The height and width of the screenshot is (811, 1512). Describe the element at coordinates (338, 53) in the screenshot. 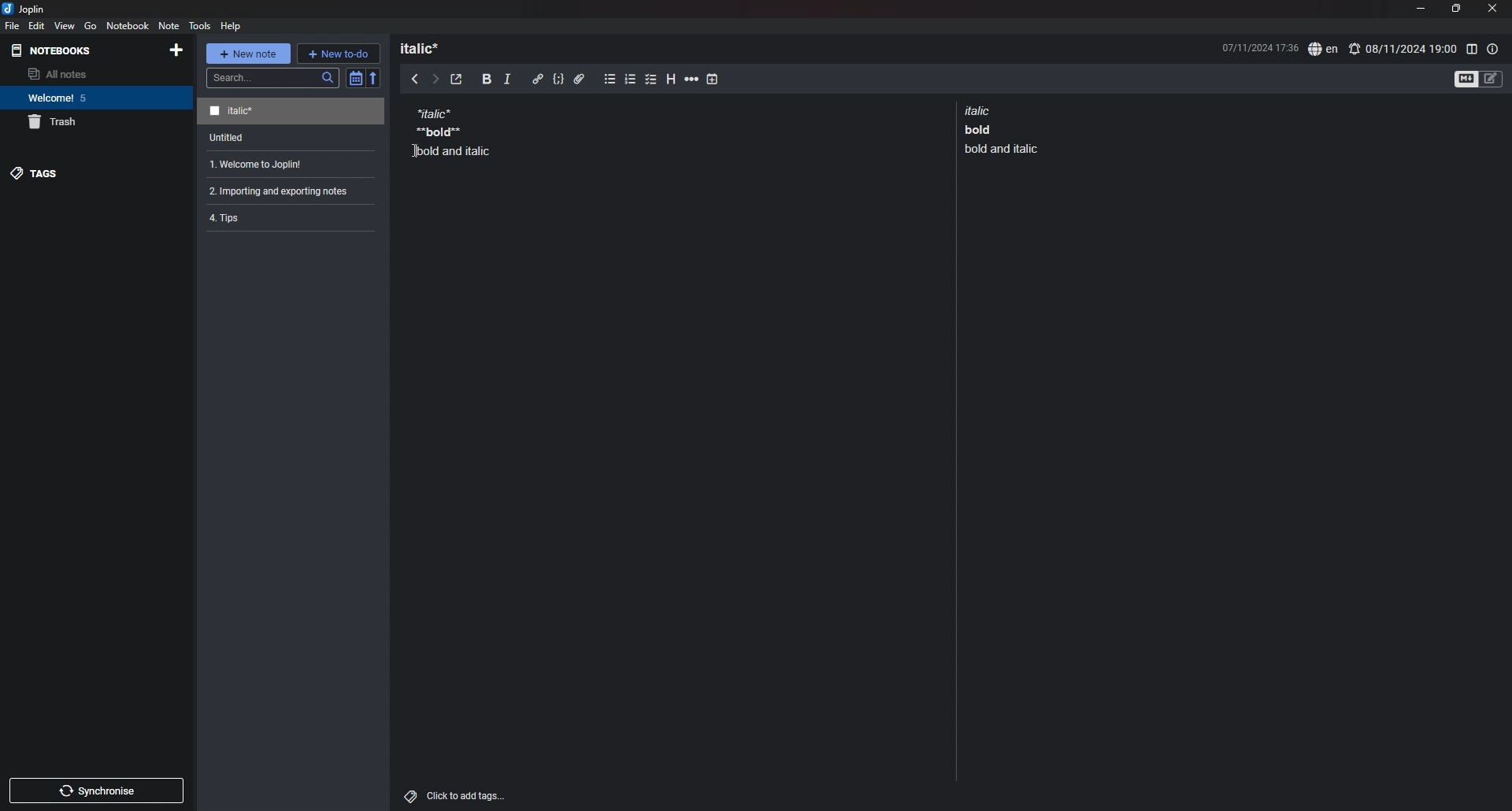

I see `new todo` at that location.